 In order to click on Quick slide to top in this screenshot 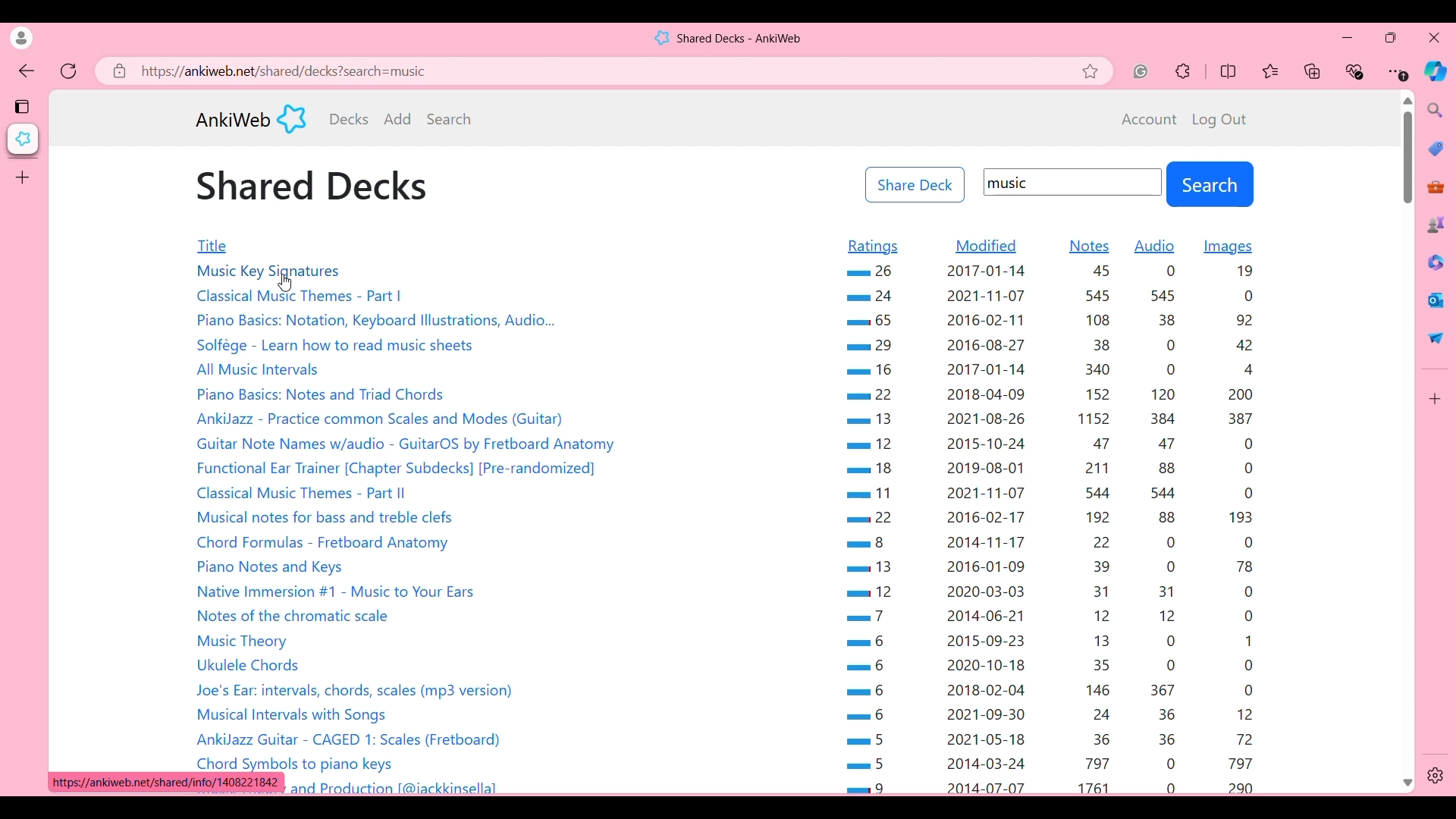, I will do `click(1407, 101)`.